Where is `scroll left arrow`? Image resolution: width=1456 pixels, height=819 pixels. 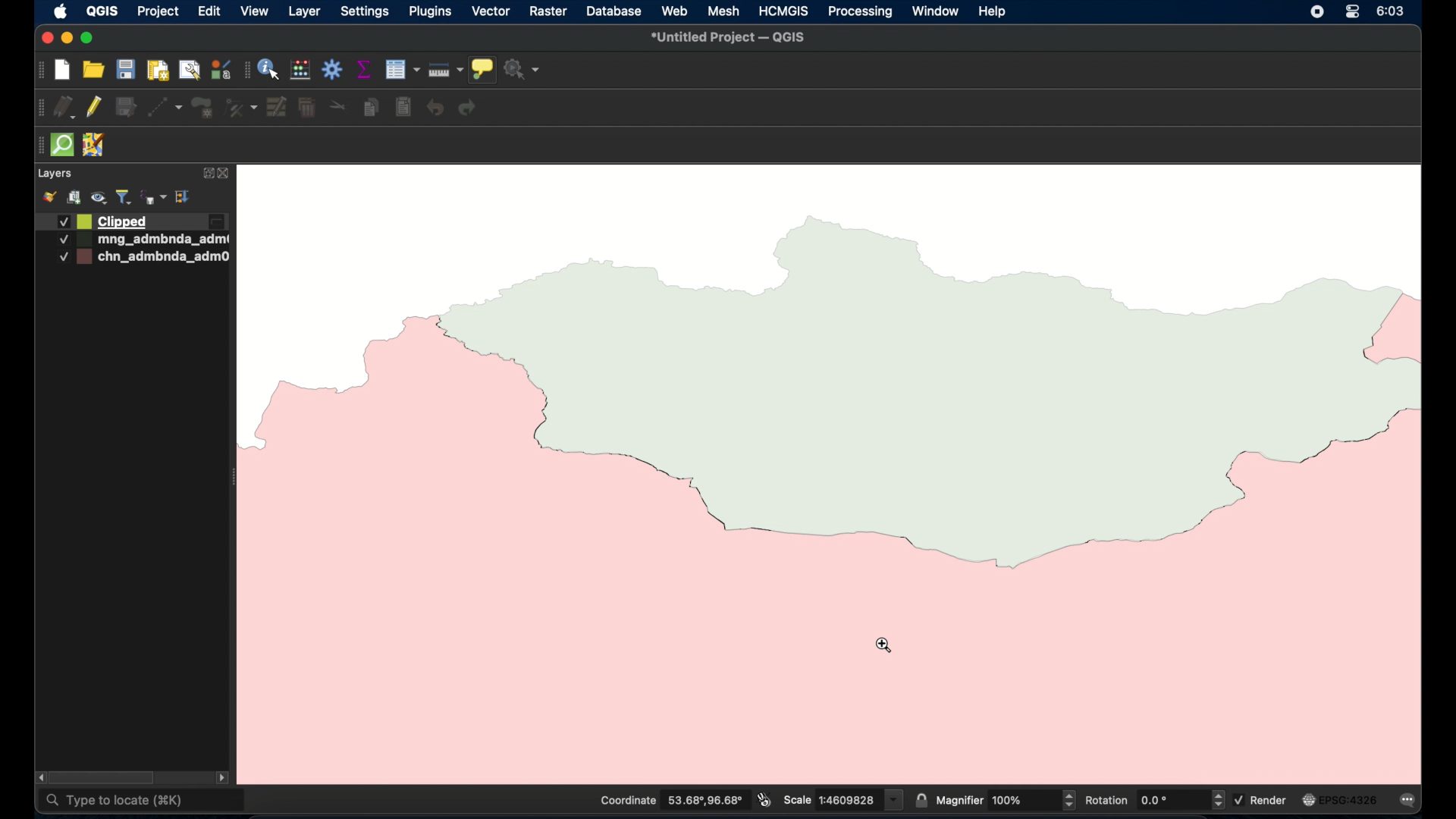
scroll left arrow is located at coordinates (38, 777).